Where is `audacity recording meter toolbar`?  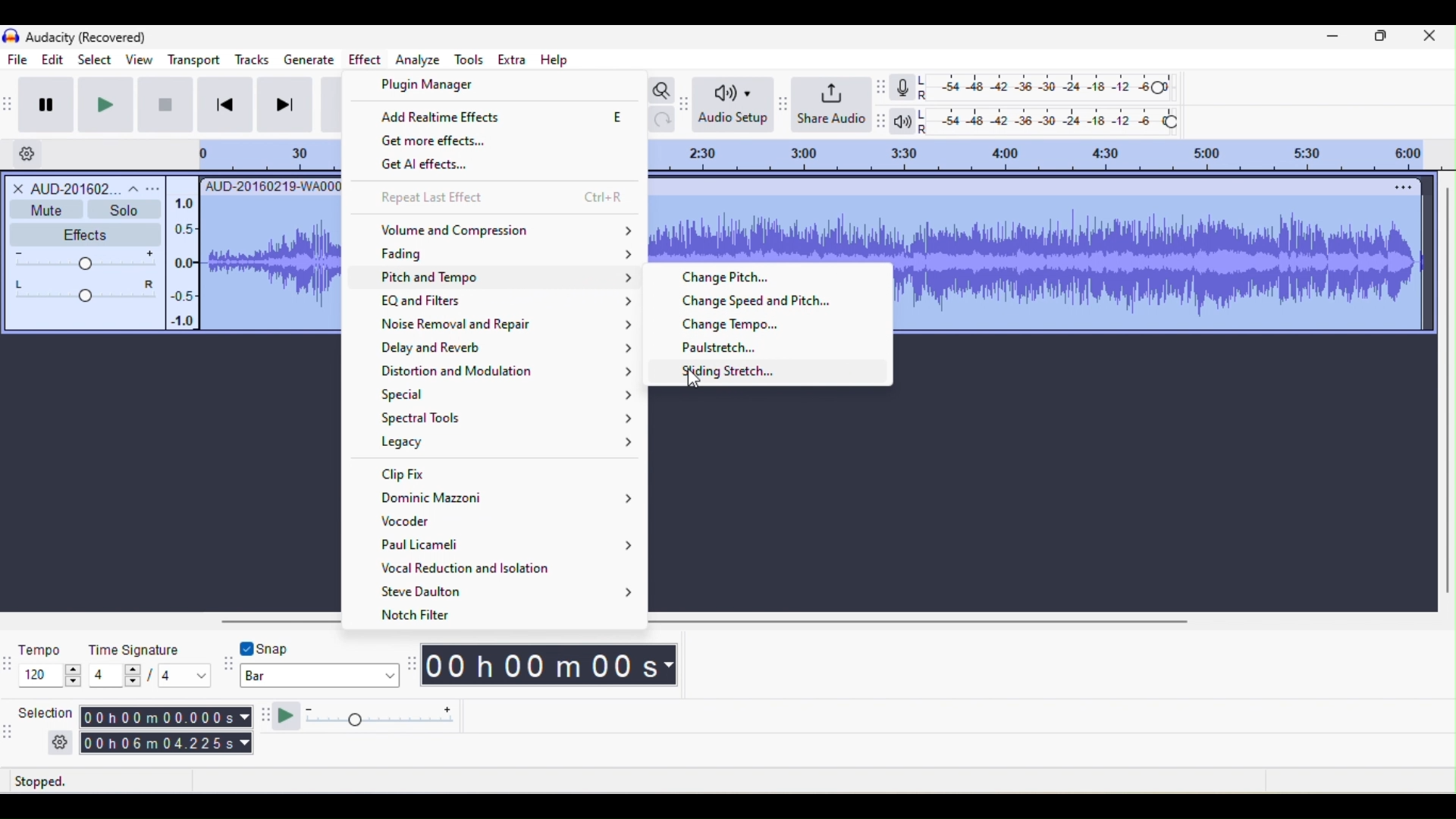
audacity recording meter toolbar is located at coordinates (882, 88).